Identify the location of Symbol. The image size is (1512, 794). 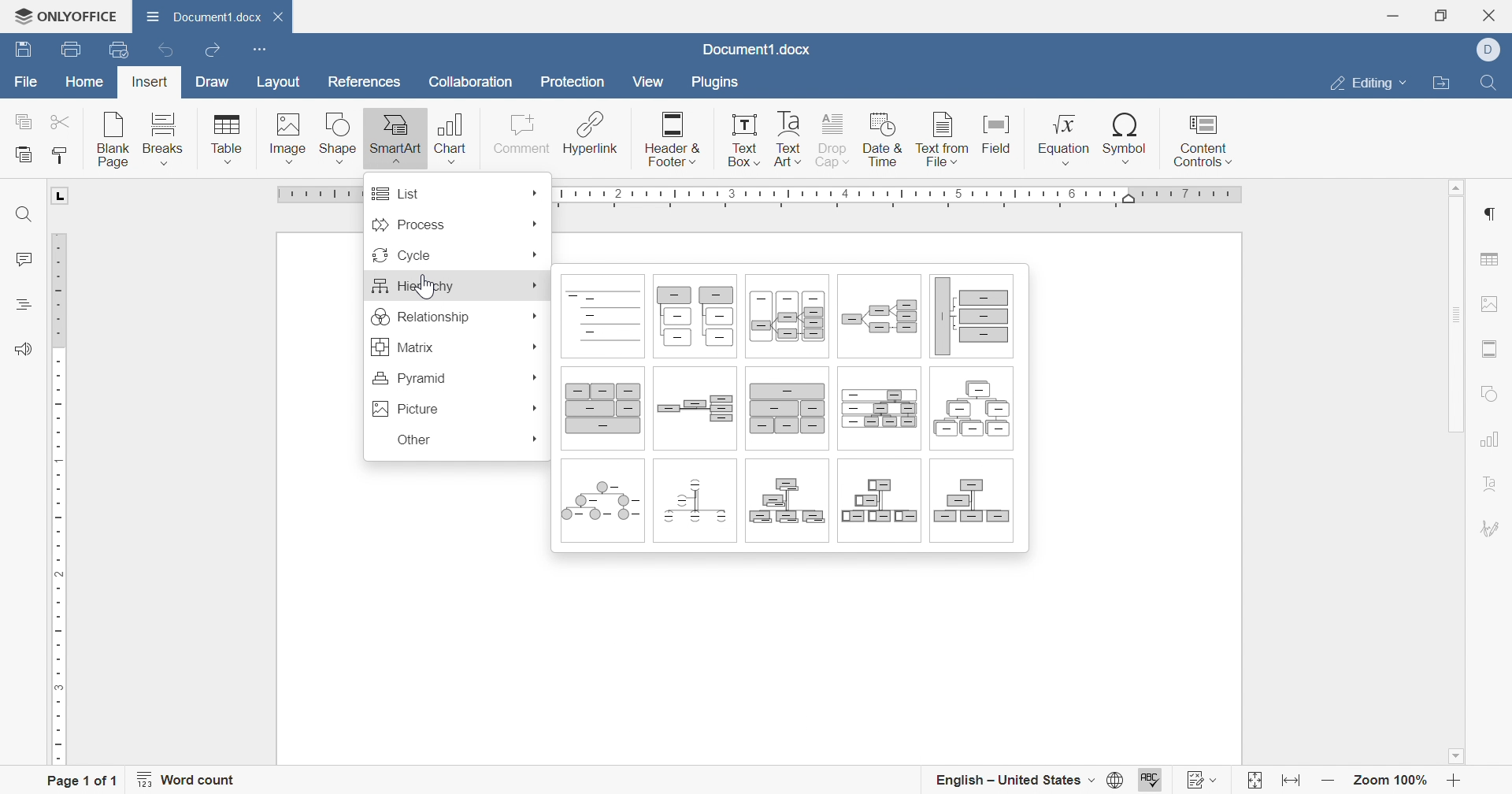
(1126, 140).